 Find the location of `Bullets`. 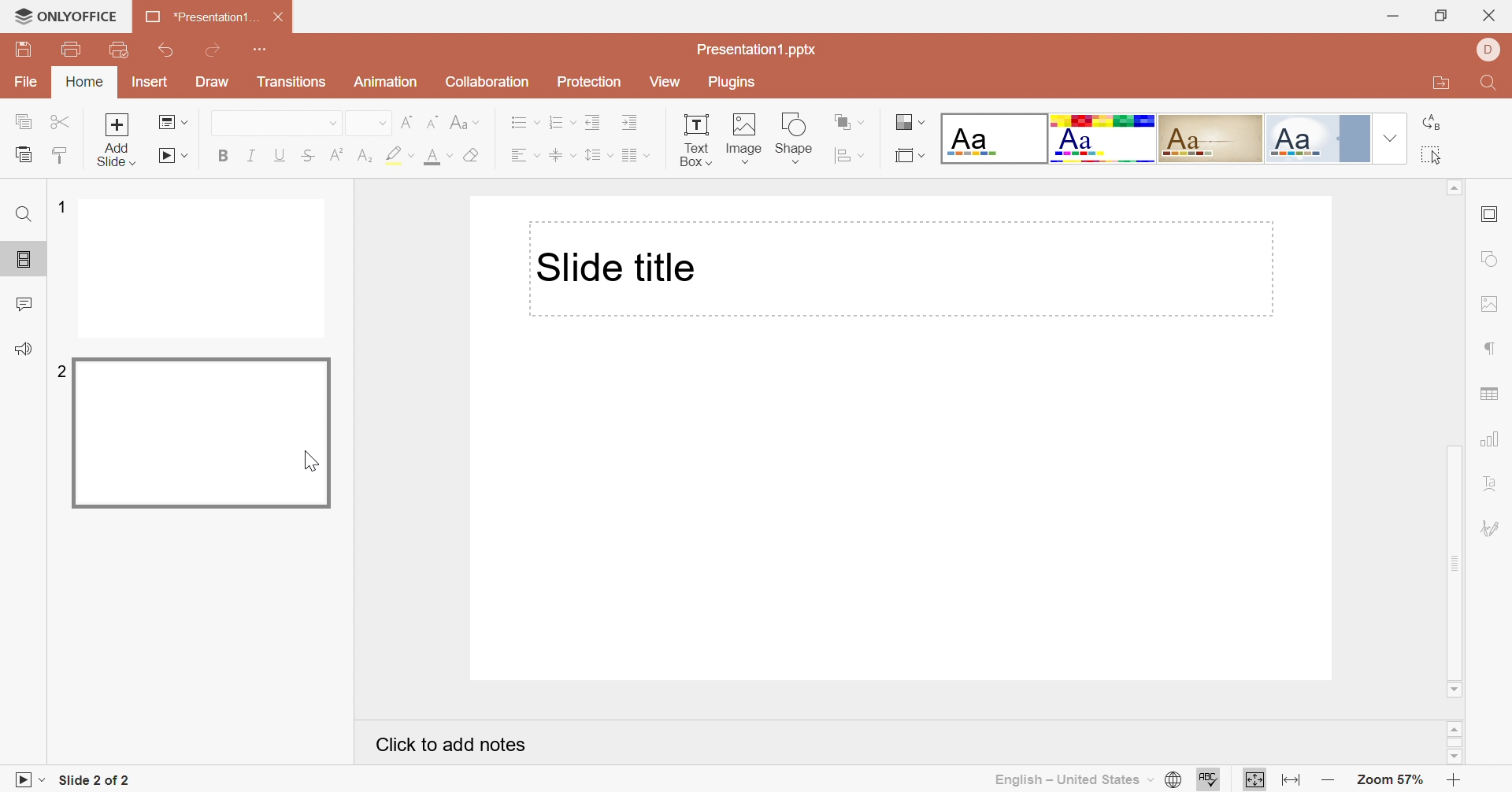

Bullets is located at coordinates (525, 121).